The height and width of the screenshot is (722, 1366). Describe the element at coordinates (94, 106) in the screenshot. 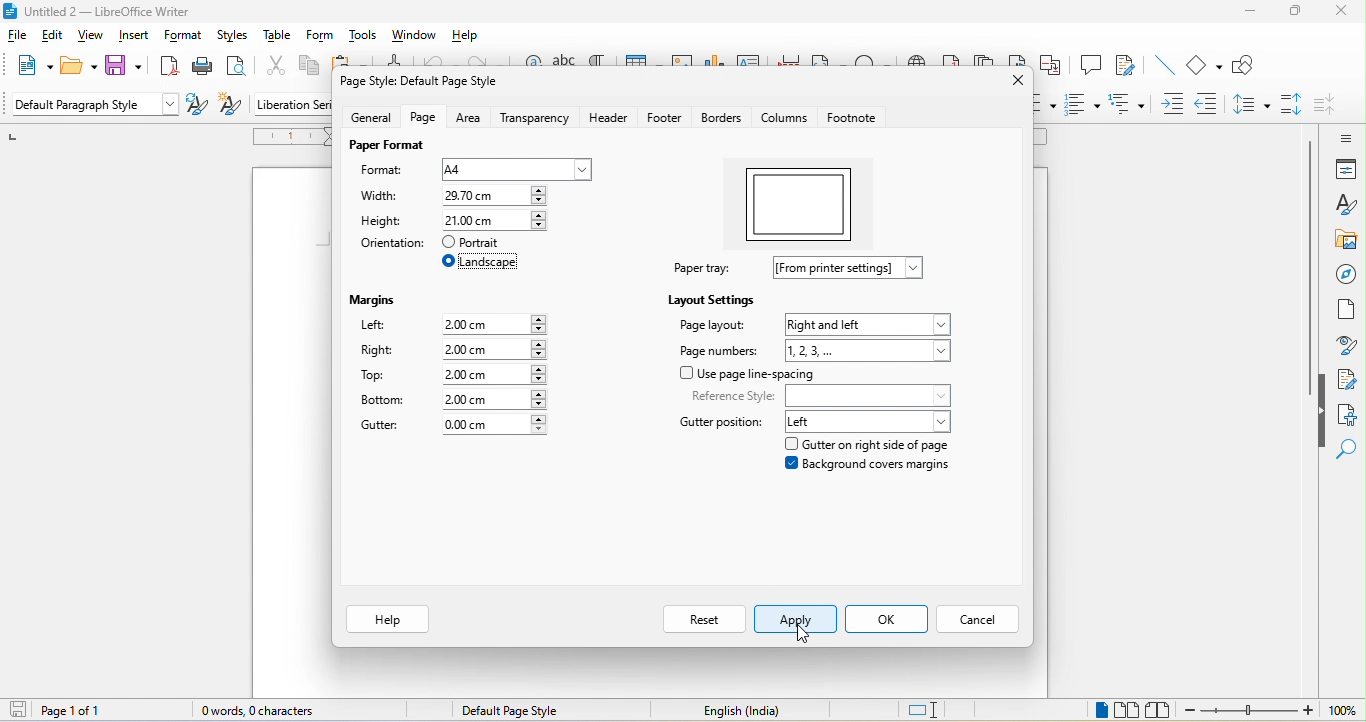

I see `Default  paragraph style` at that location.